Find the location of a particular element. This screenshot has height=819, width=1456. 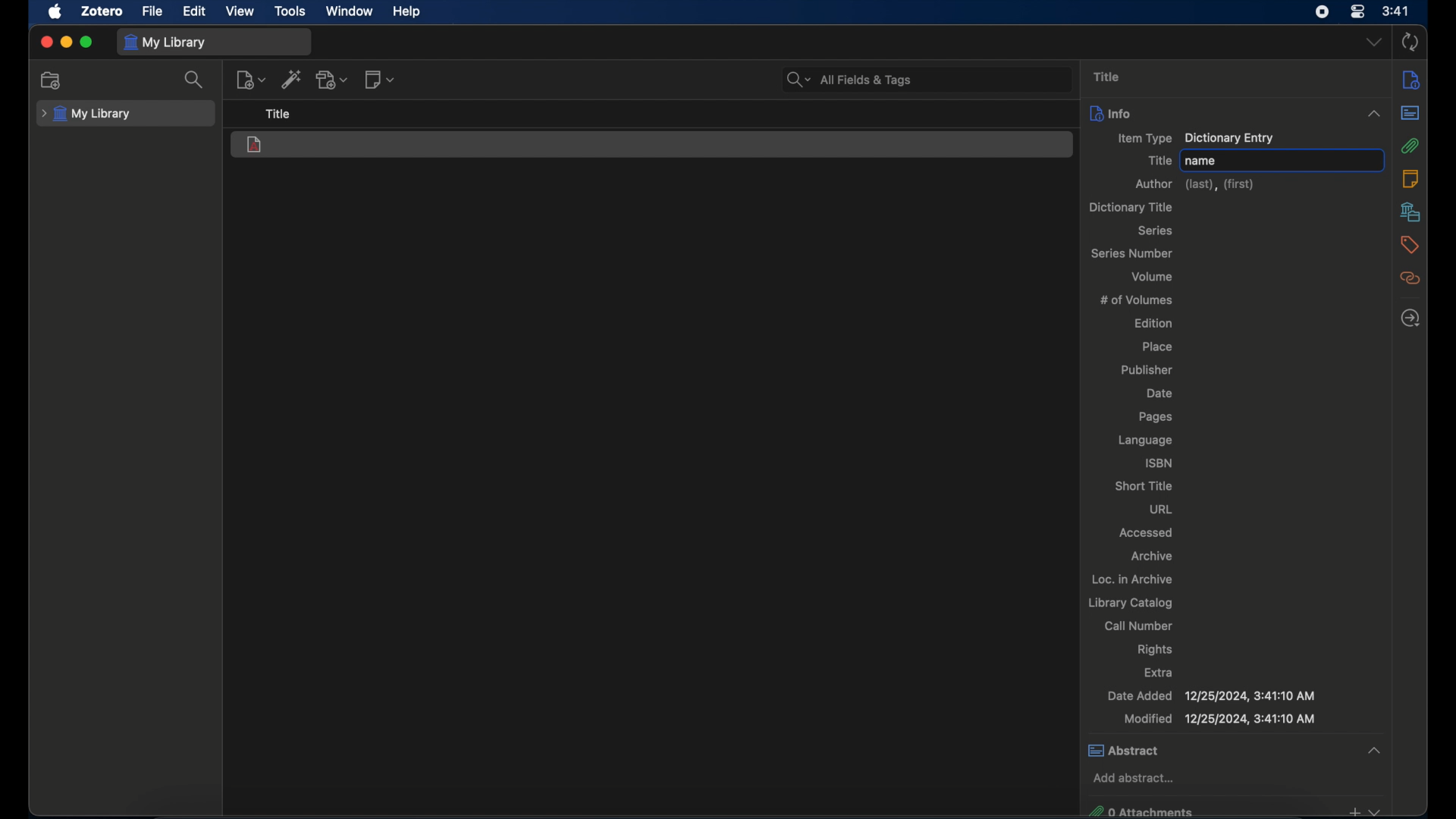

tools is located at coordinates (290, 11).